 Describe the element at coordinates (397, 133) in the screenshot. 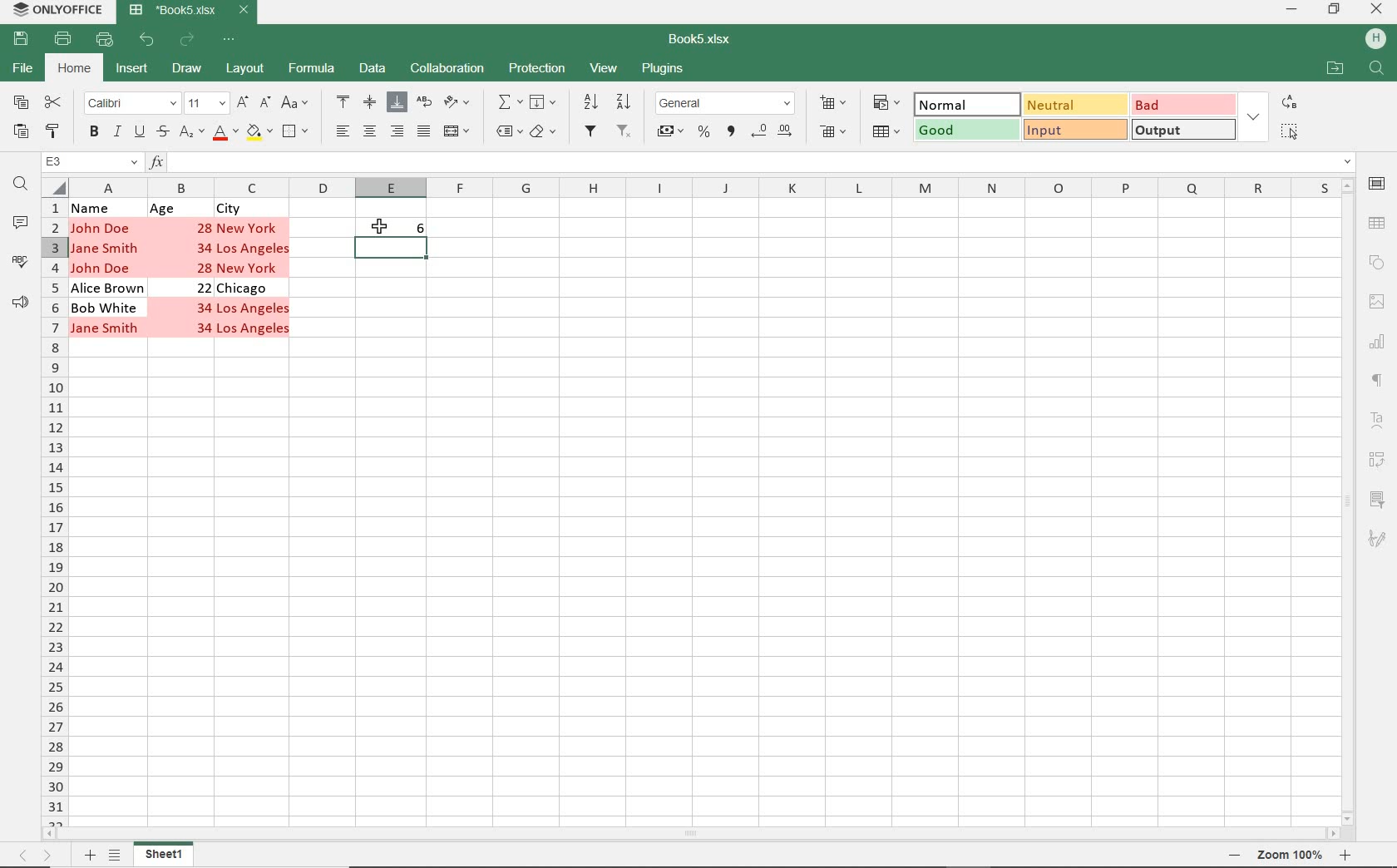

I see `ALIGN RIGHT` at that location.